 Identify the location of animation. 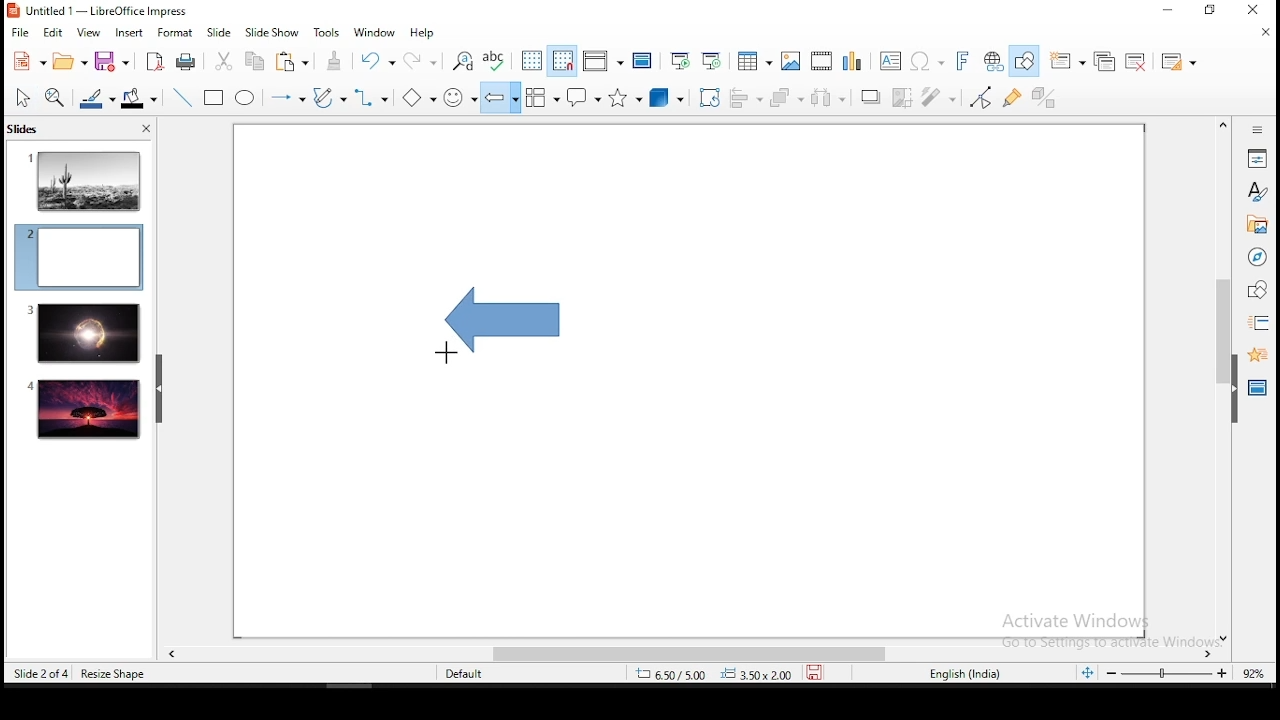
(1255, 353).